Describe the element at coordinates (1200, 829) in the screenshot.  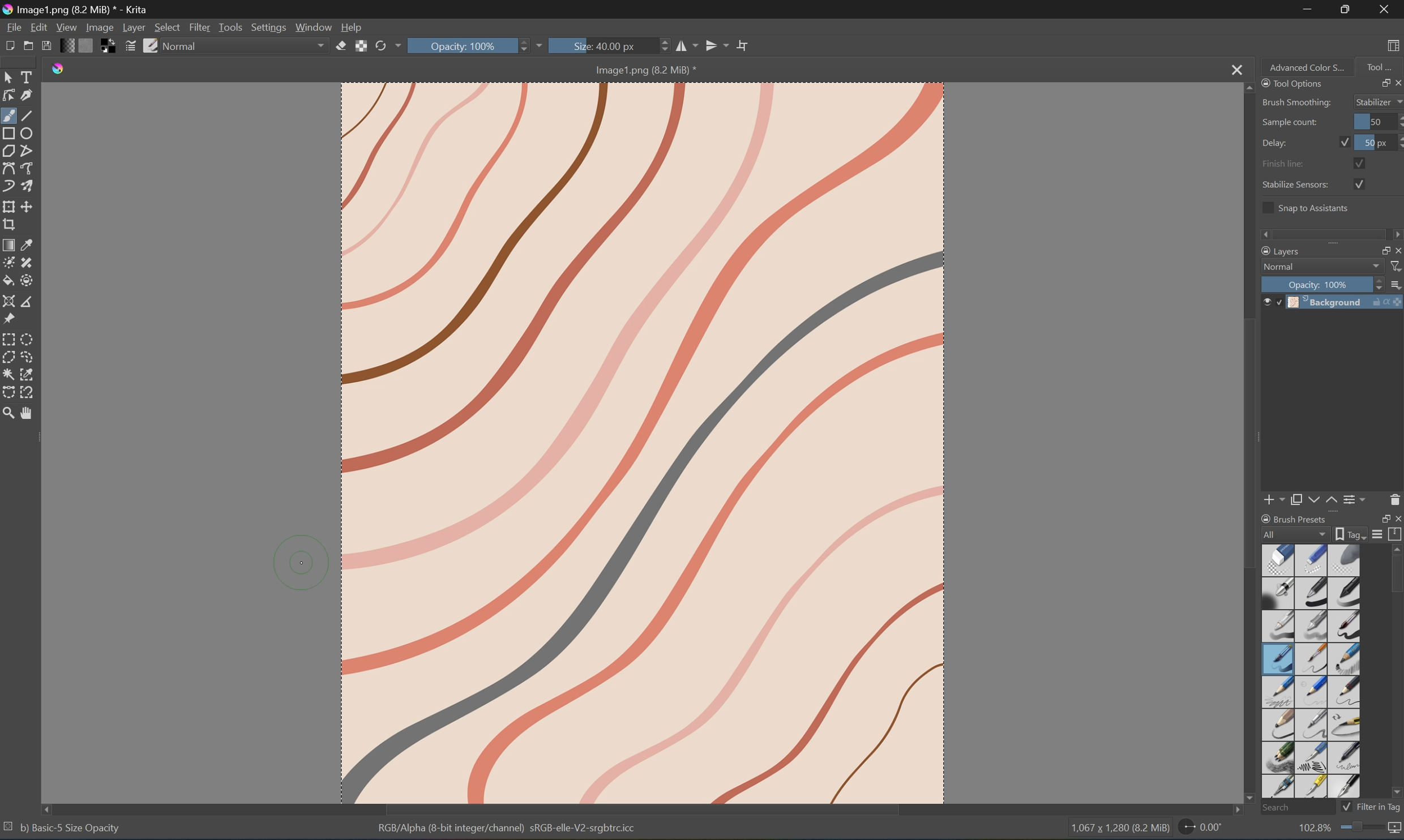
I see `0.00°` at that location.